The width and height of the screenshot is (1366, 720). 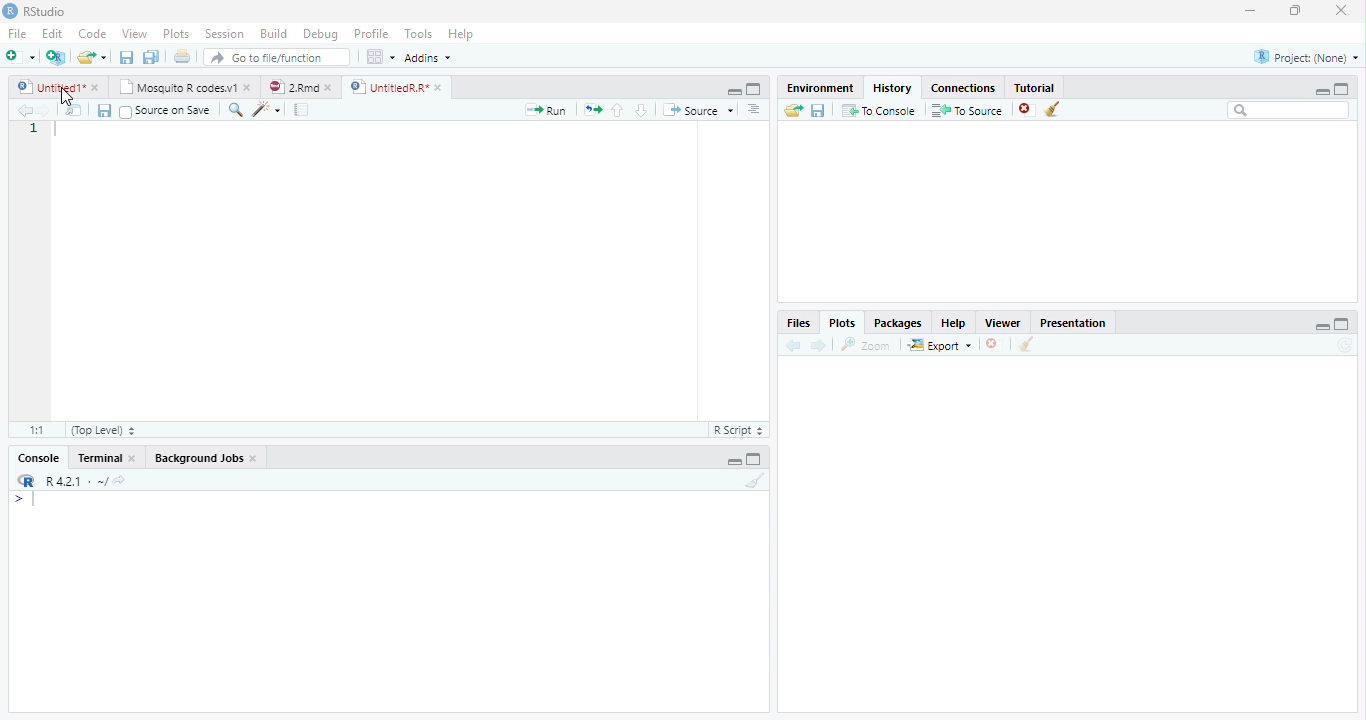 What do you see at coordinates (1001, 325) in the screenshot?
I see `Viewer` at bounding box center [1001, 325].